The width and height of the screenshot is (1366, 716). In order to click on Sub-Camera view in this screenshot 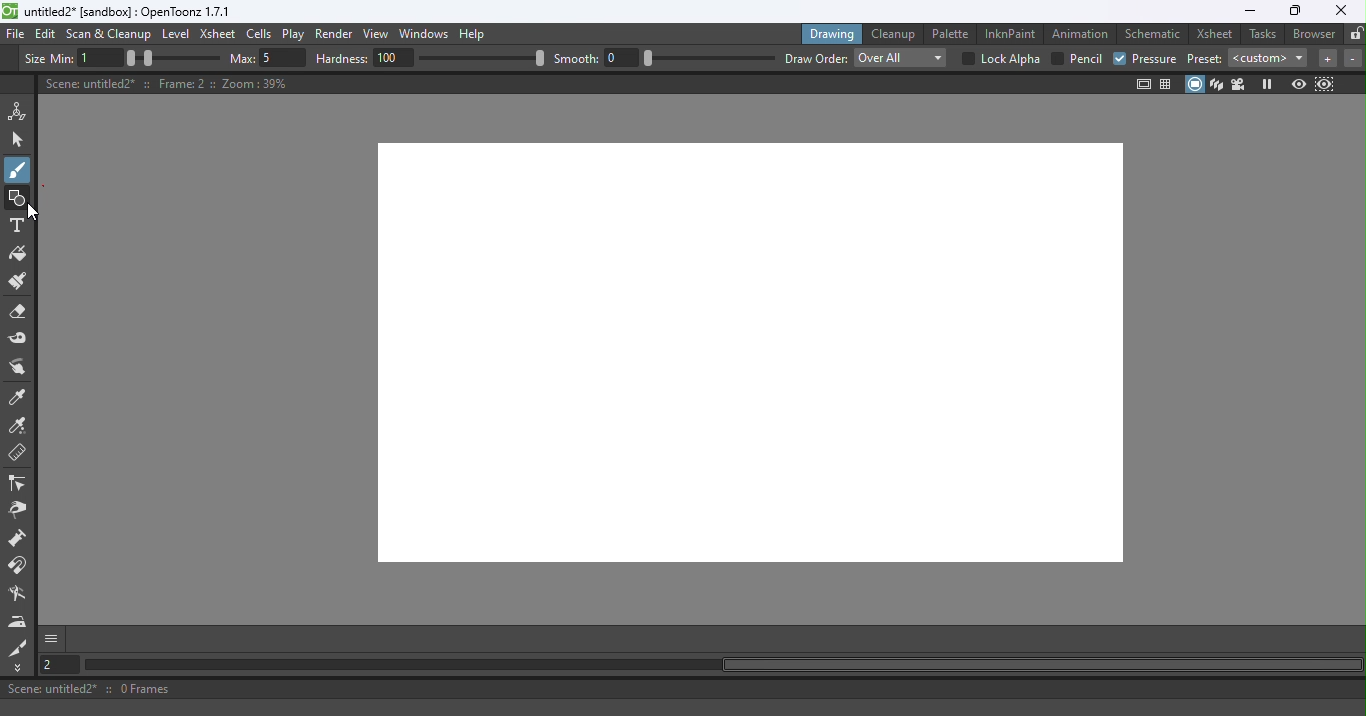, I will do `click(1326, 84)`.